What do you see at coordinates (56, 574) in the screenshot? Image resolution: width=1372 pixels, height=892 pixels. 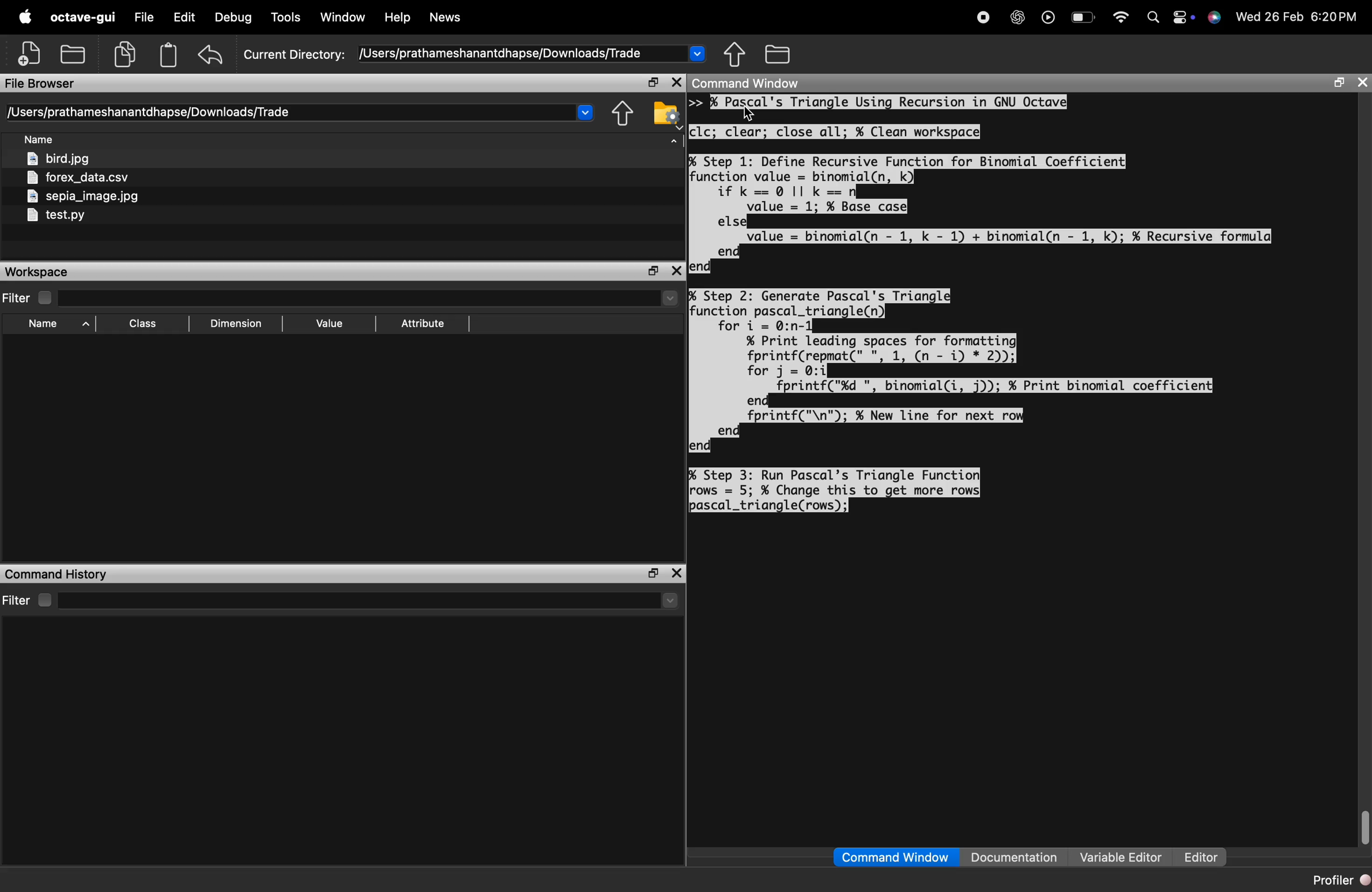 I see `Command History` at bounding box center [56, 574].